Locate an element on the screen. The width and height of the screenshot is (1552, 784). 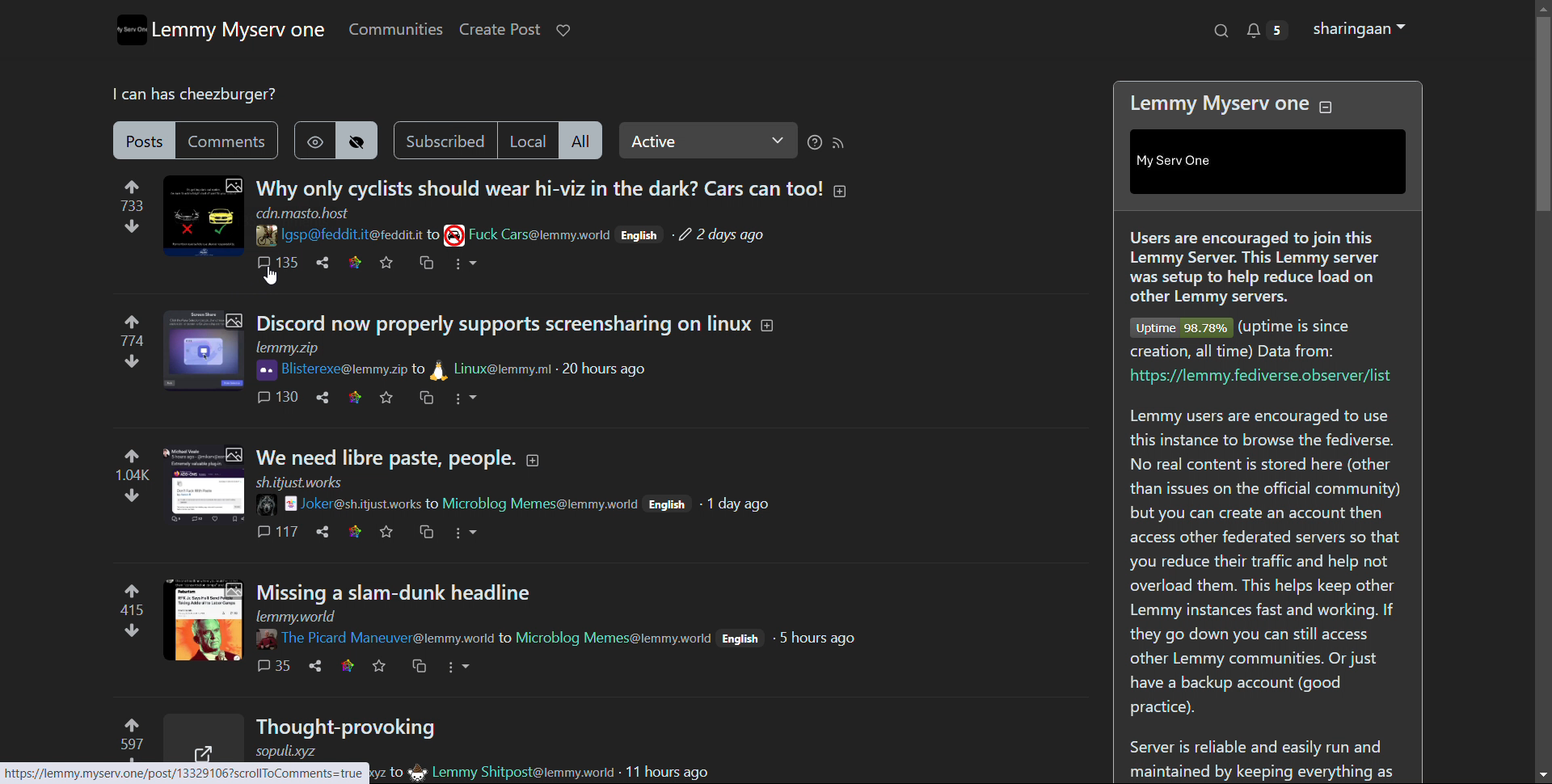
Users are encouraged to join this
Lemmy Server. This Lemmy server
was setup to help reduce load on
other Lemmy servers.

Uptime 98.78% (uptime is since
creation, all time) Data from: is located at coordinates (1266, 292).